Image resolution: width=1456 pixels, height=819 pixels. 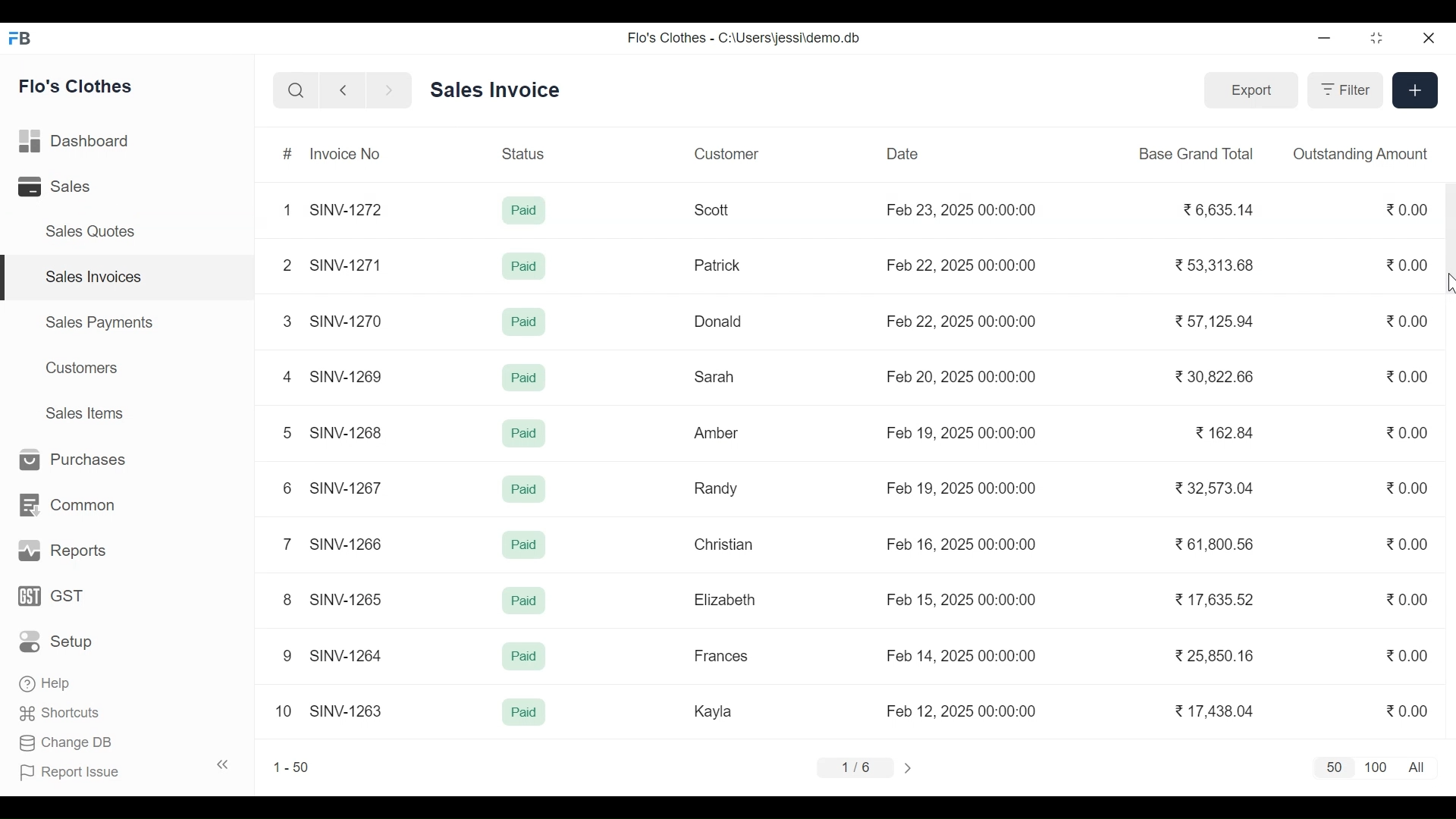 What do you see at coordinates (722, 655) in the screenshot?
I see `Frances` at bounding box center [722, 655].